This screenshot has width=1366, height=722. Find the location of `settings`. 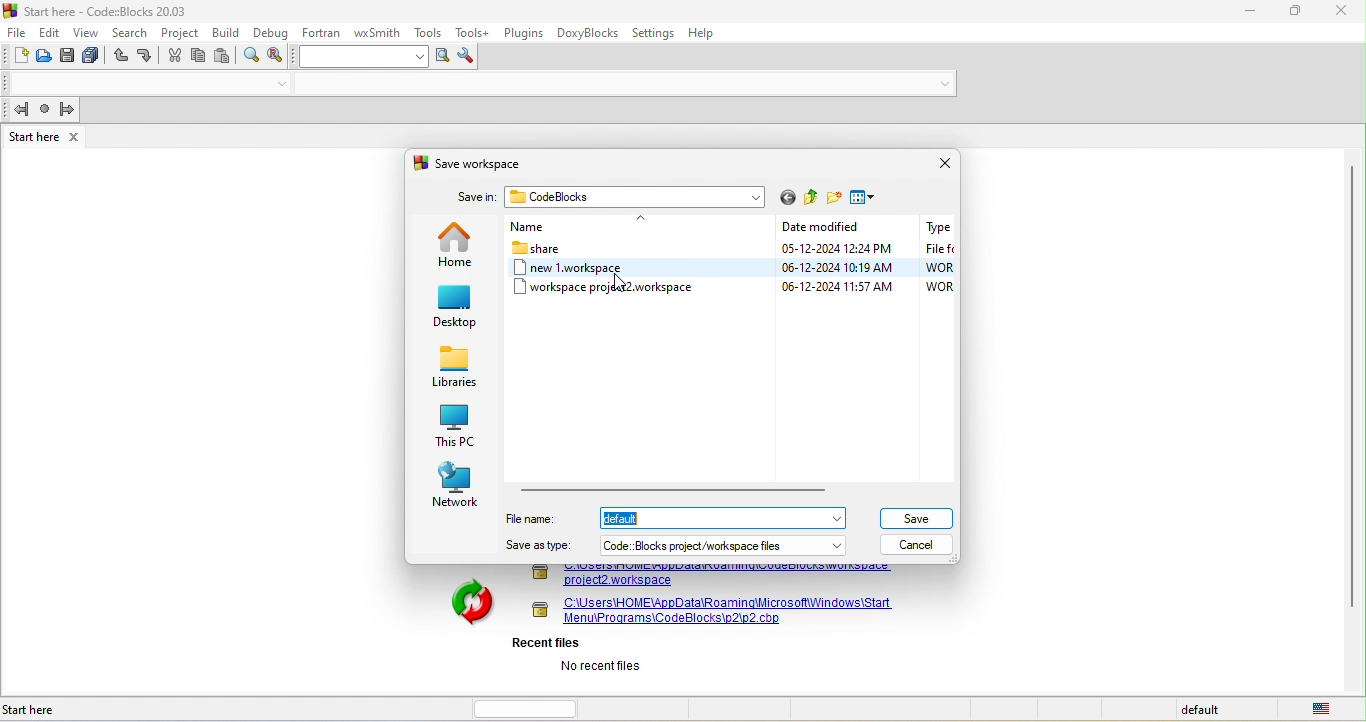

settings is located at coordinates (656, 33).